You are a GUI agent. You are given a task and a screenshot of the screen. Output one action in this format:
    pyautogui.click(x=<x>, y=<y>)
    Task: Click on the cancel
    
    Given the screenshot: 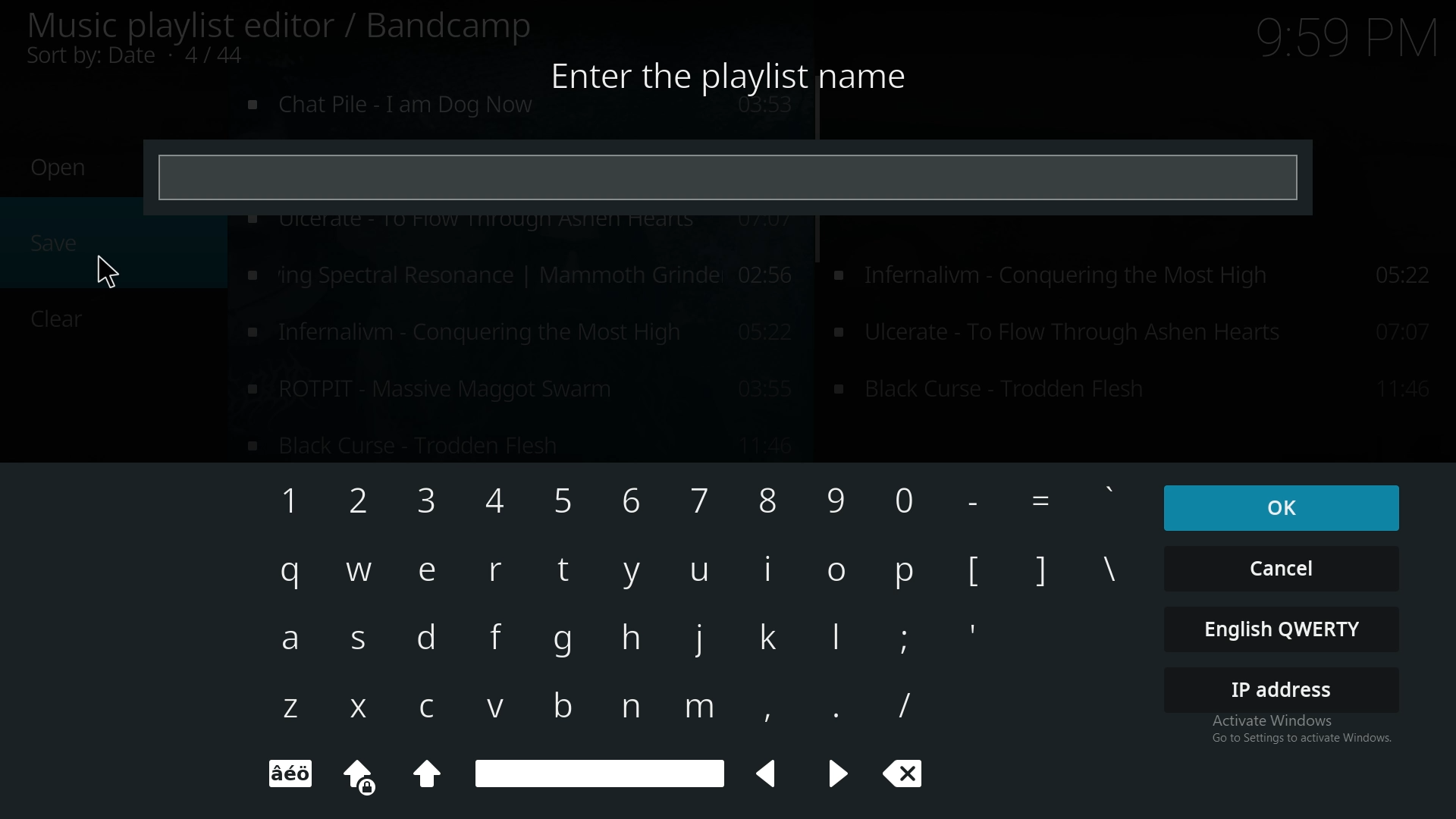 What is the action you would take?
    pyautogui.click(x=1282, y=567)
    